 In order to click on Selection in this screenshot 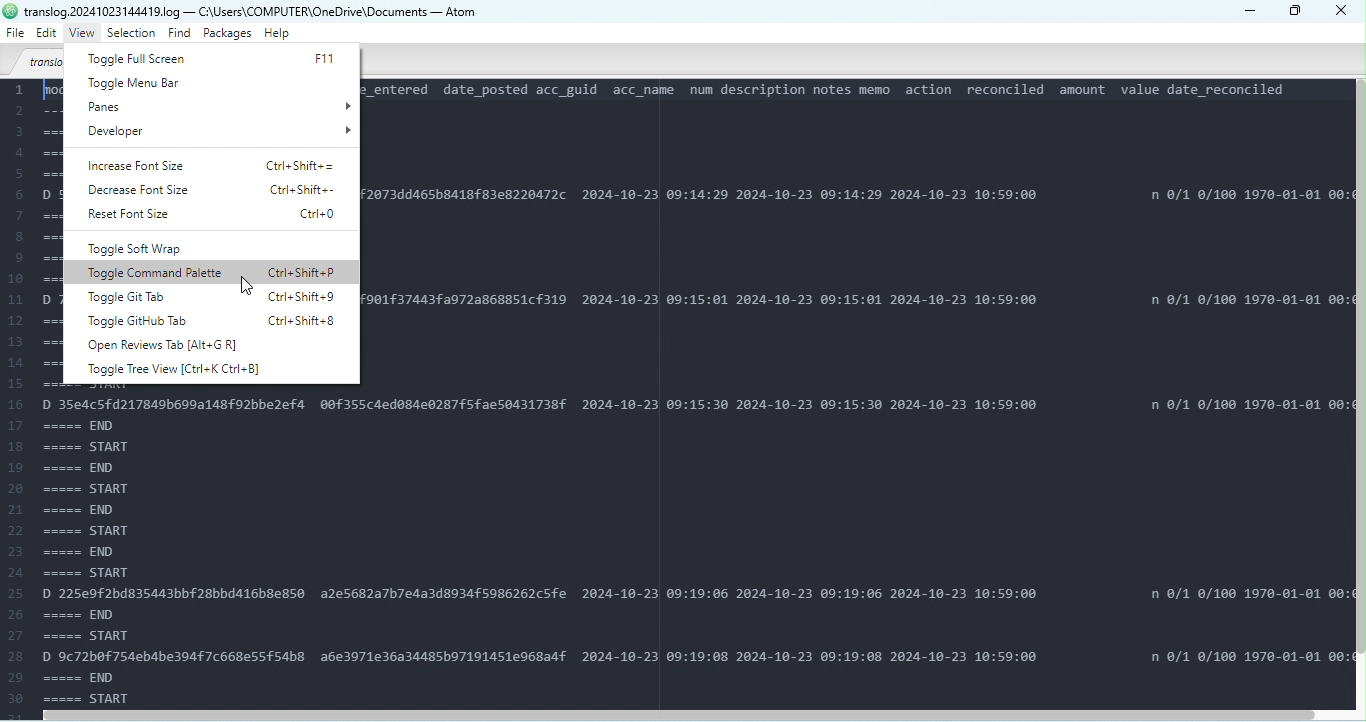, I will do `click(133, 34)`.